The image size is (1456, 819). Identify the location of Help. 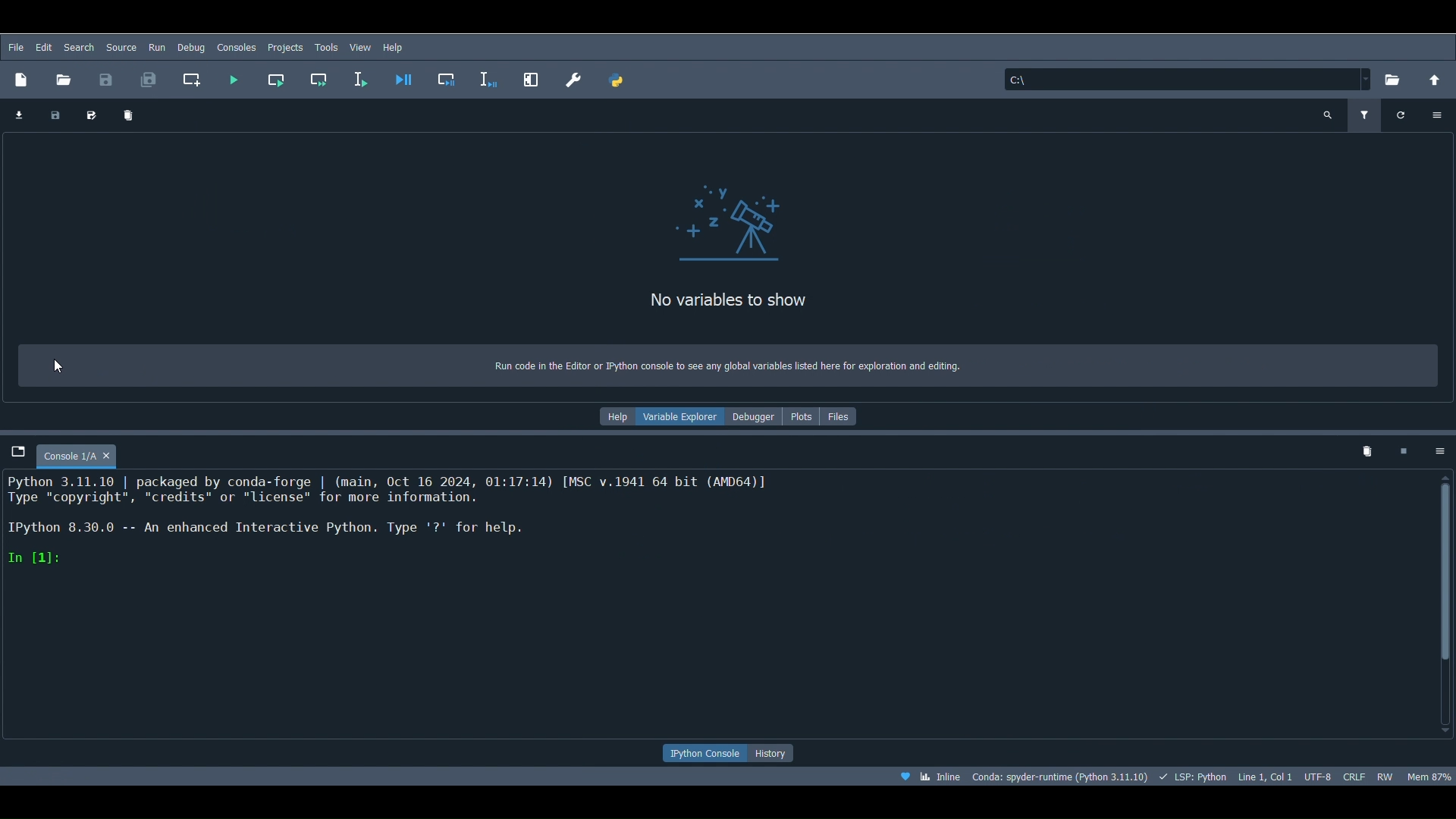
(615, 414).